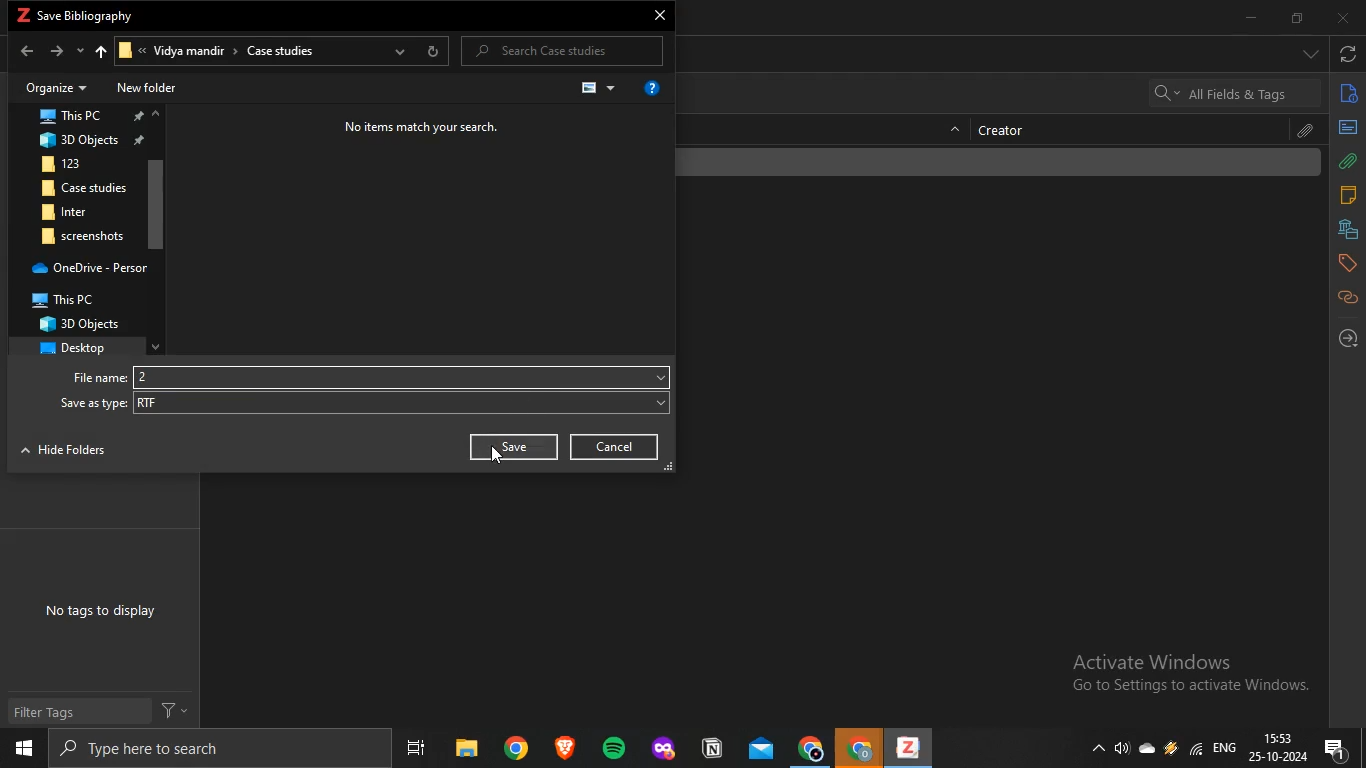  Describe the element at coordinates (1311, 54) in the screenshot. I see `drop down` at that location.